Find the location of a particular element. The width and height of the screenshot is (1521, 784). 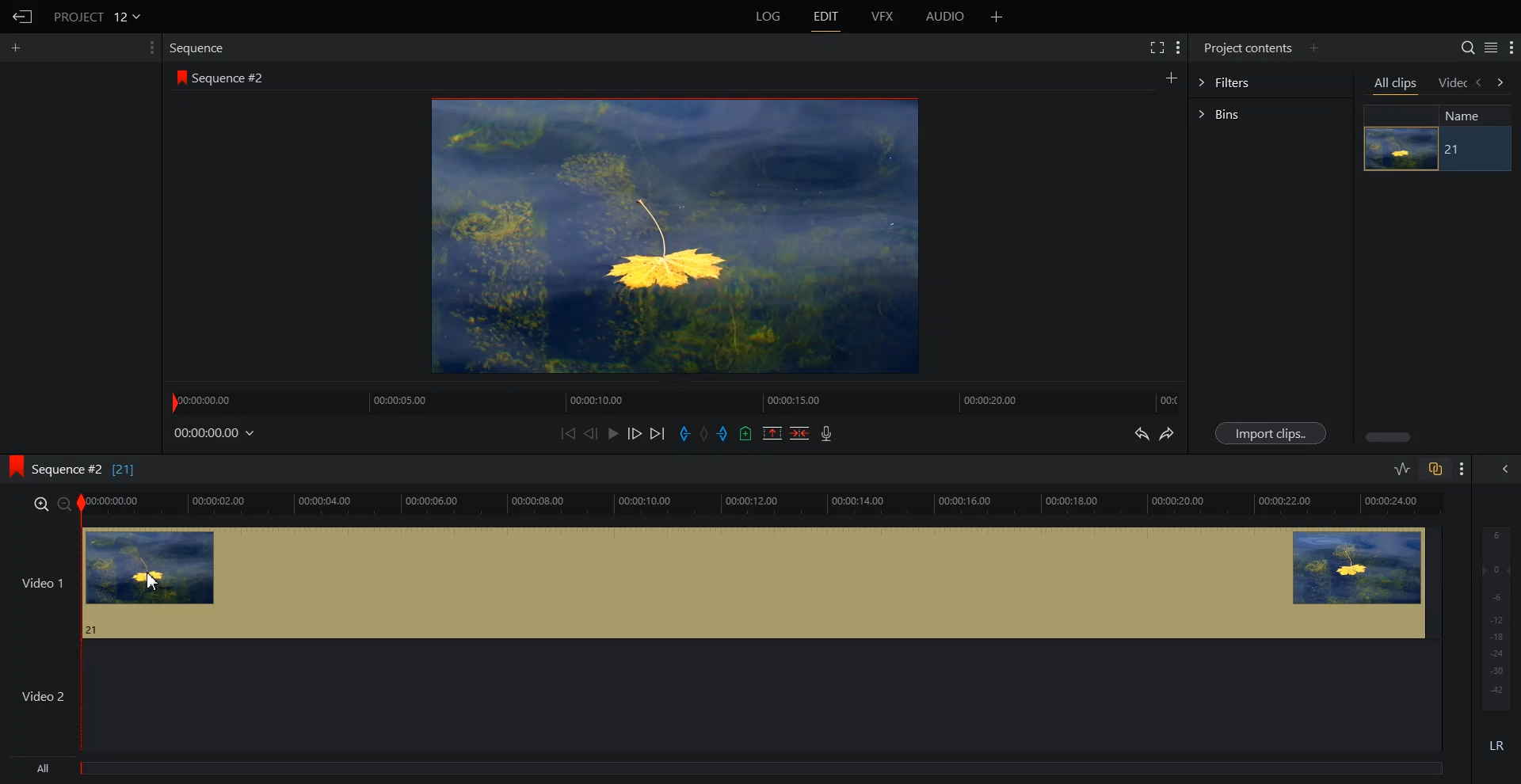

LR is located at coordinates (1497, 742).